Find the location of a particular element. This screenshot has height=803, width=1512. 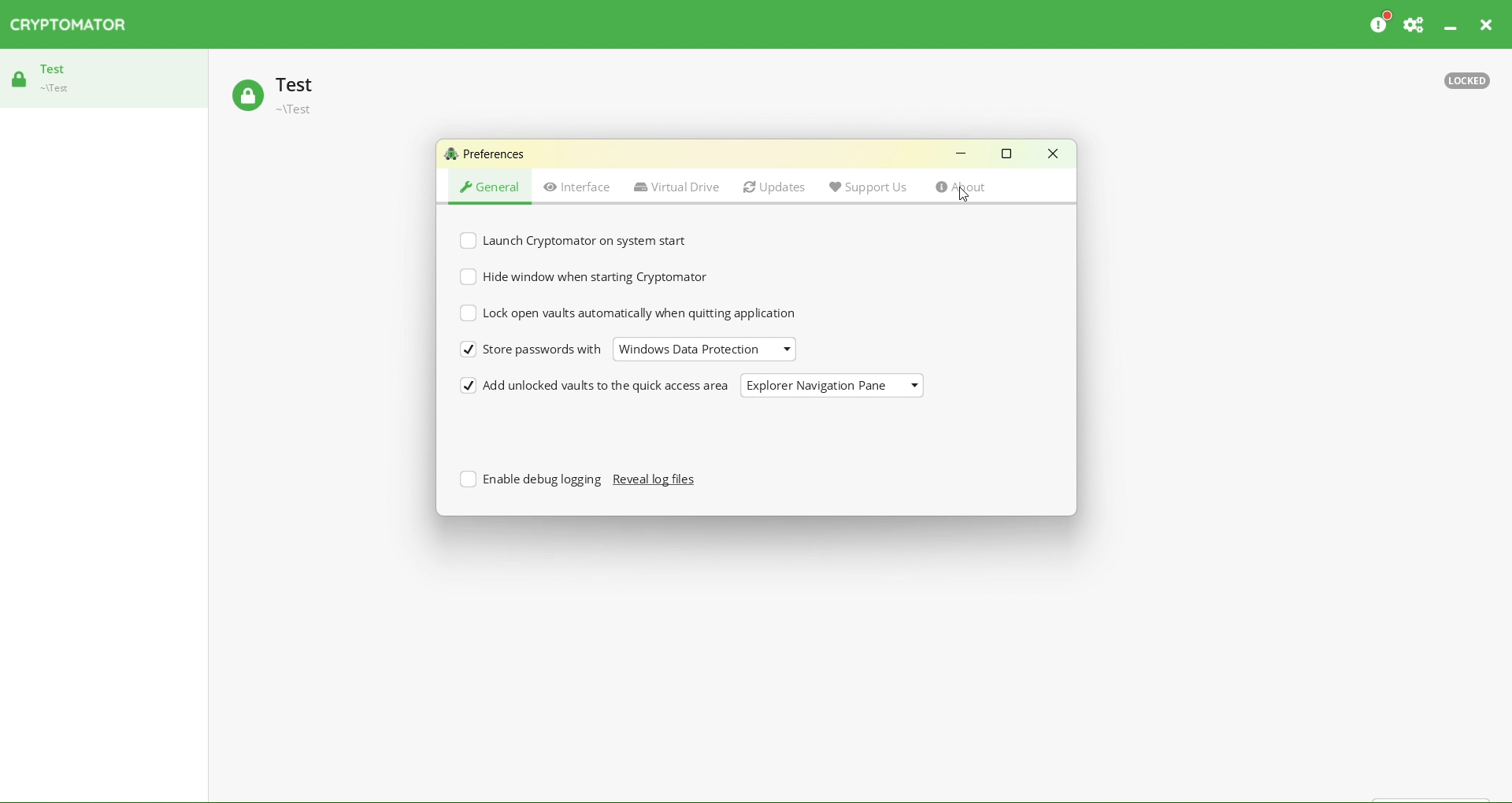

Minimize is located at coordinates (1447, 26).